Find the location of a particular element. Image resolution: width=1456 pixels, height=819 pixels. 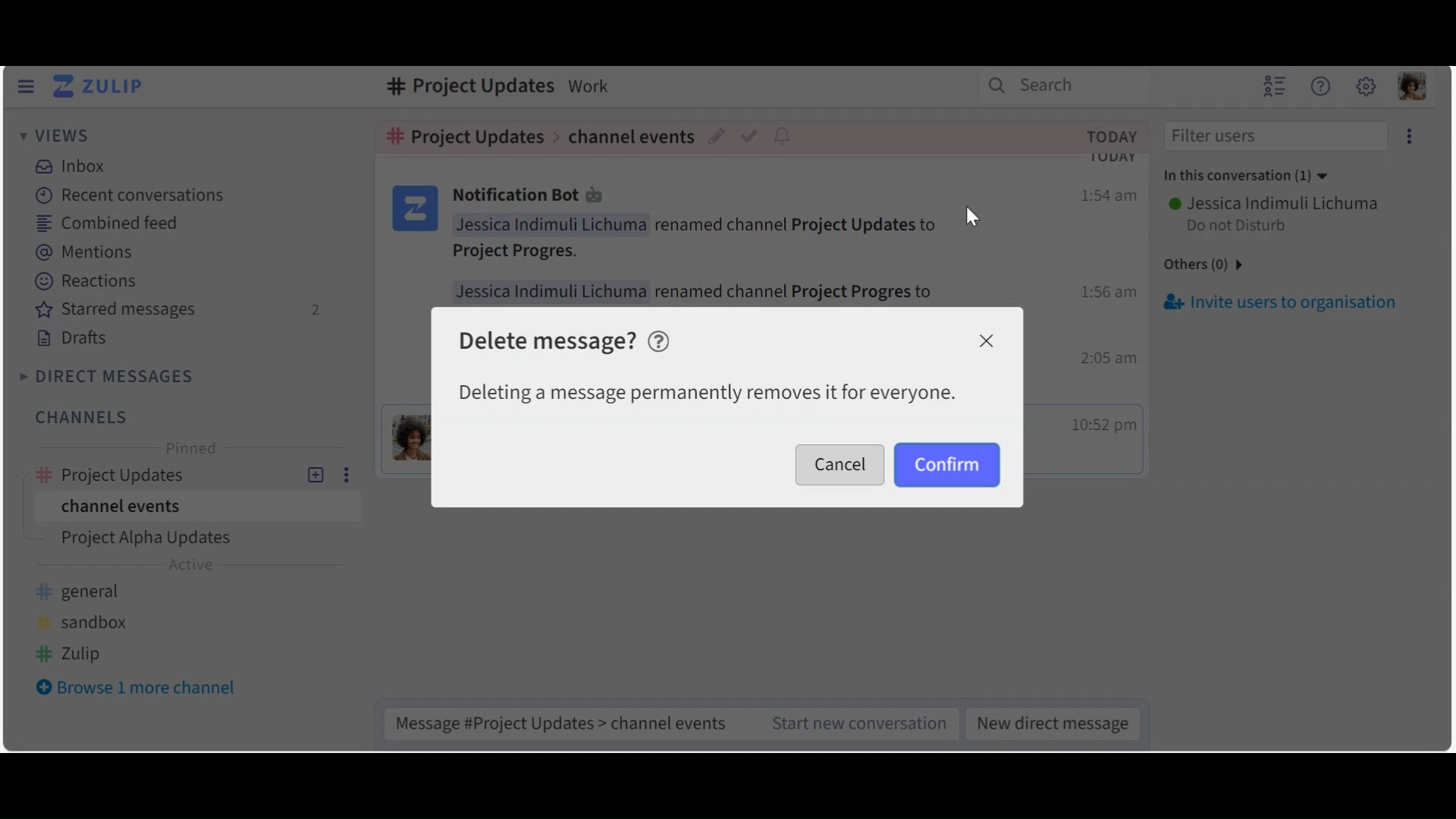

username is located at coordinates (1270, 201).